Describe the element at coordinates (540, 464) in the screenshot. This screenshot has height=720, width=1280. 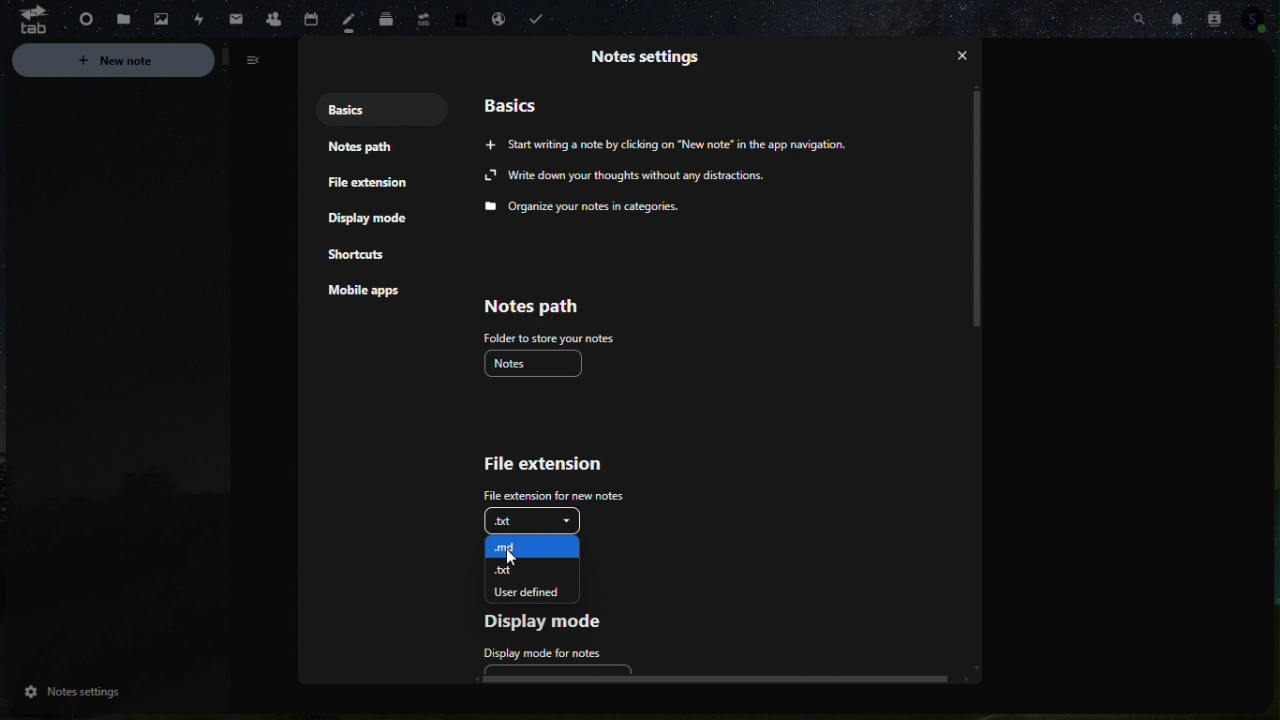
I see `File extension` at that location.